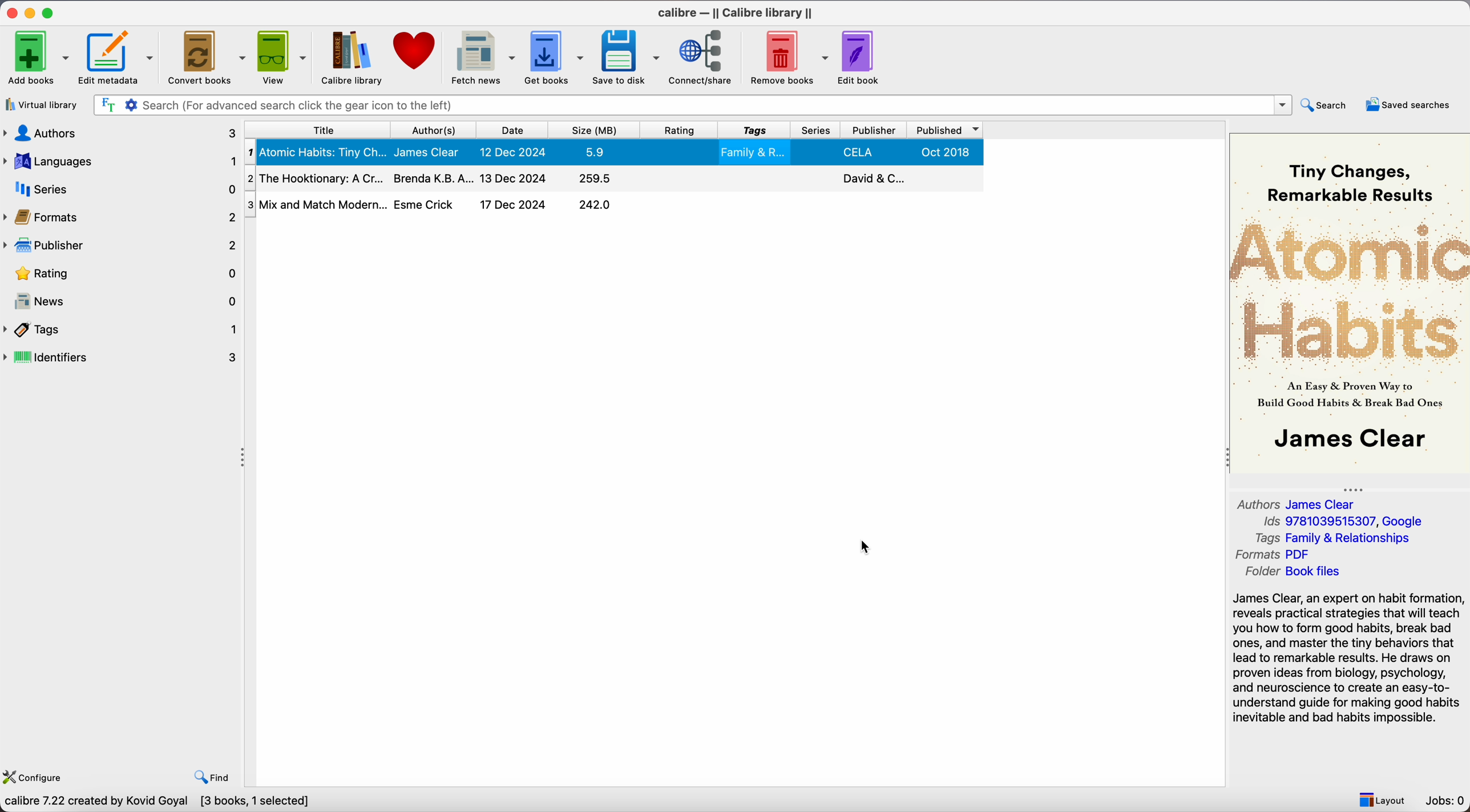 The height and width of the screenshot is (812, 1470). Describe the element at coordinates (1294, 572) in the screenshot. I see `Folder Book files` at that location.